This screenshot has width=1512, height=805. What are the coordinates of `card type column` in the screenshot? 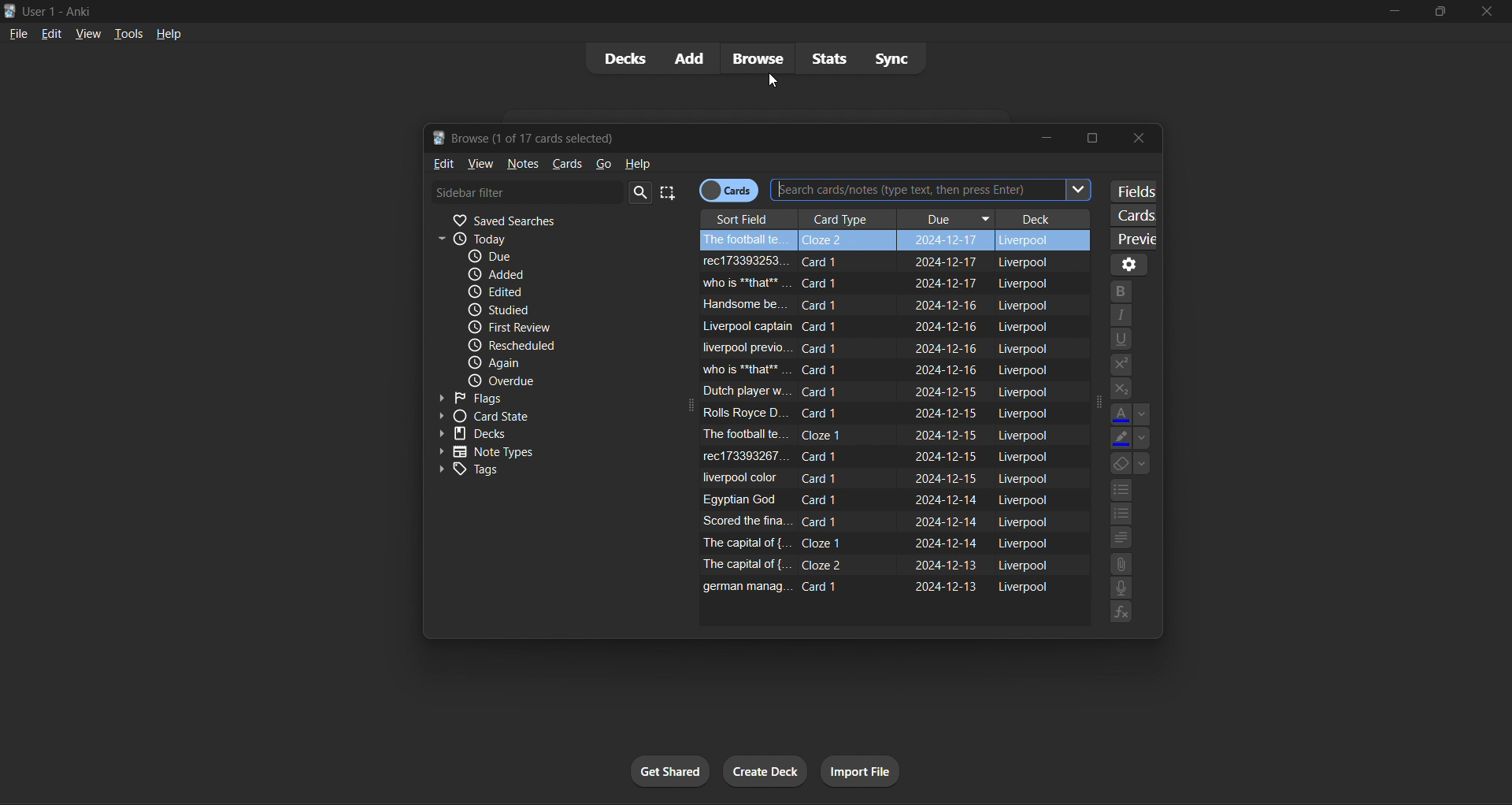 It's located at (853, 219).